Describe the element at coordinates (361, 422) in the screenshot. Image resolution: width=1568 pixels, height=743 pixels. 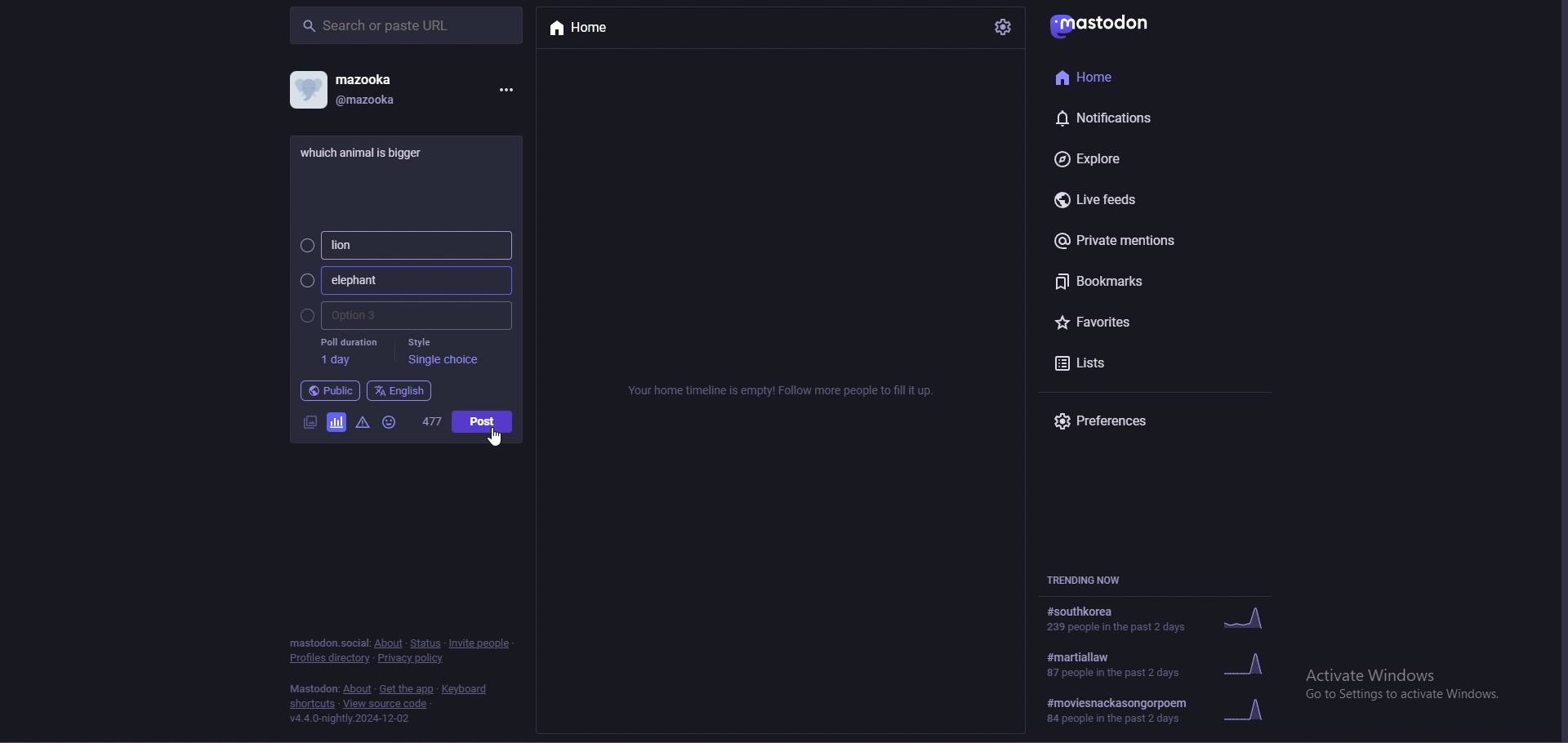
I see `warning` at that location.